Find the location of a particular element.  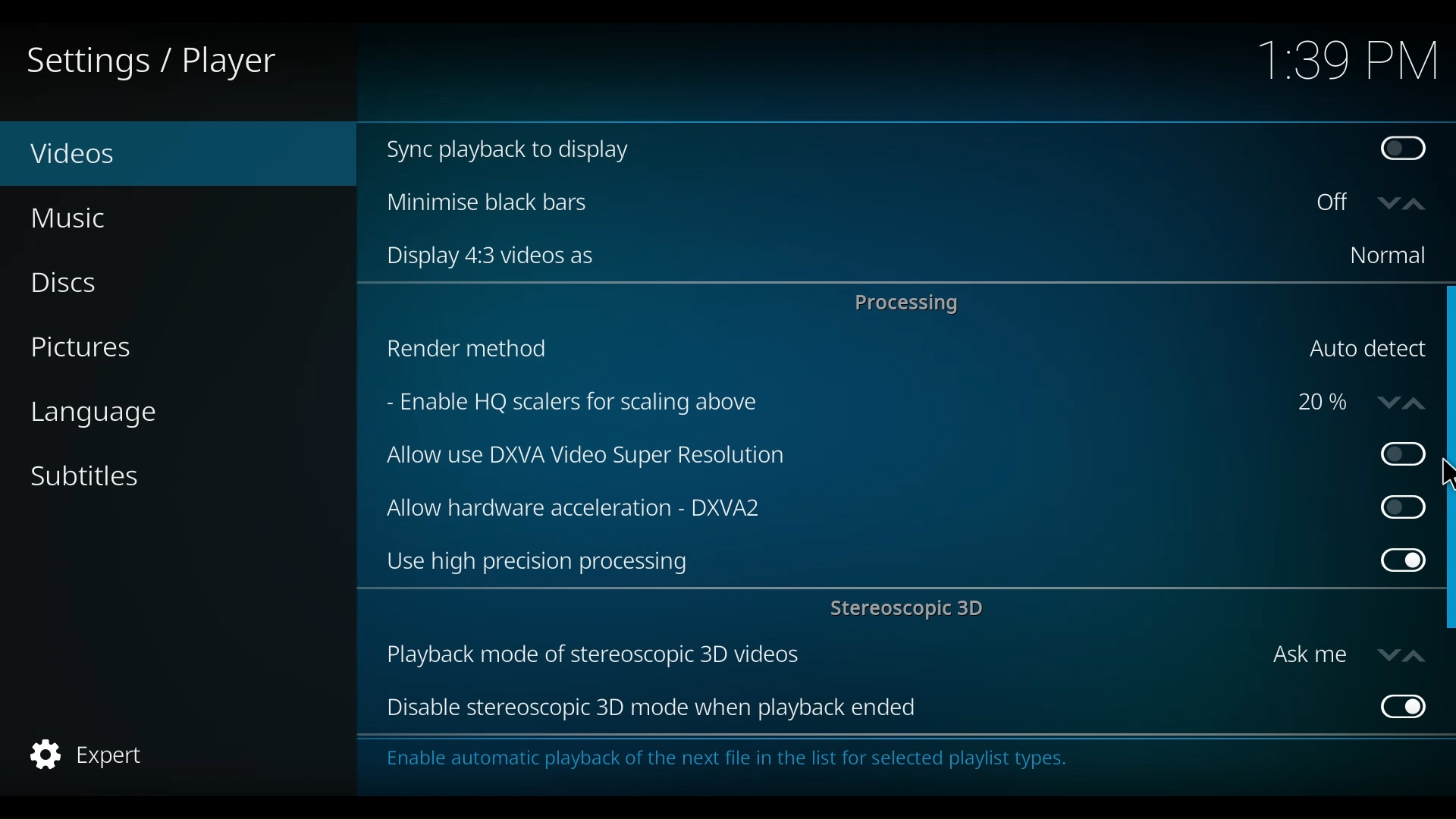

down is located at coordinates (1386, 654).